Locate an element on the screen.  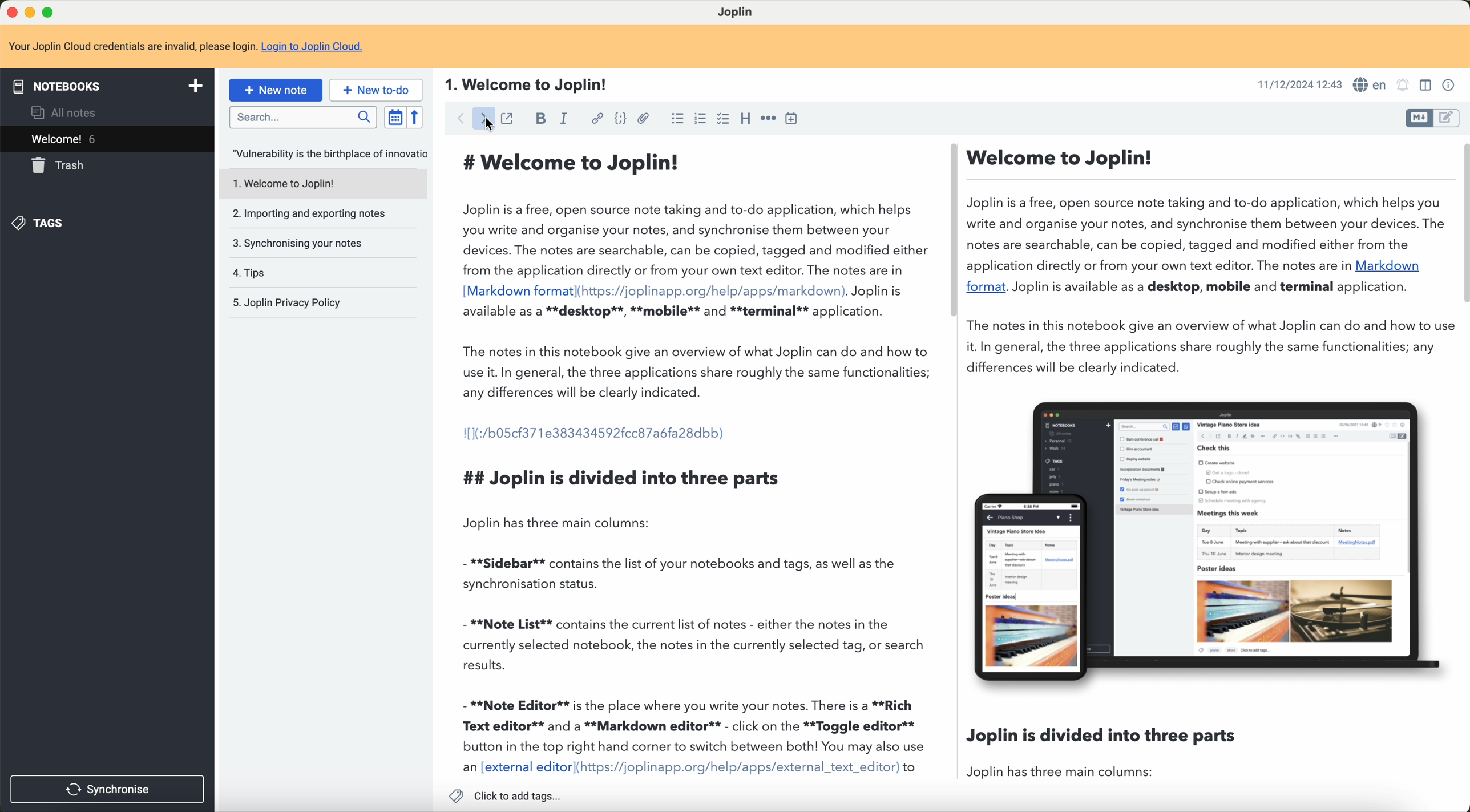
[Markdown format](https://joplinapp.org/help/apps/markdown).. is located at coordinates (644, 293).